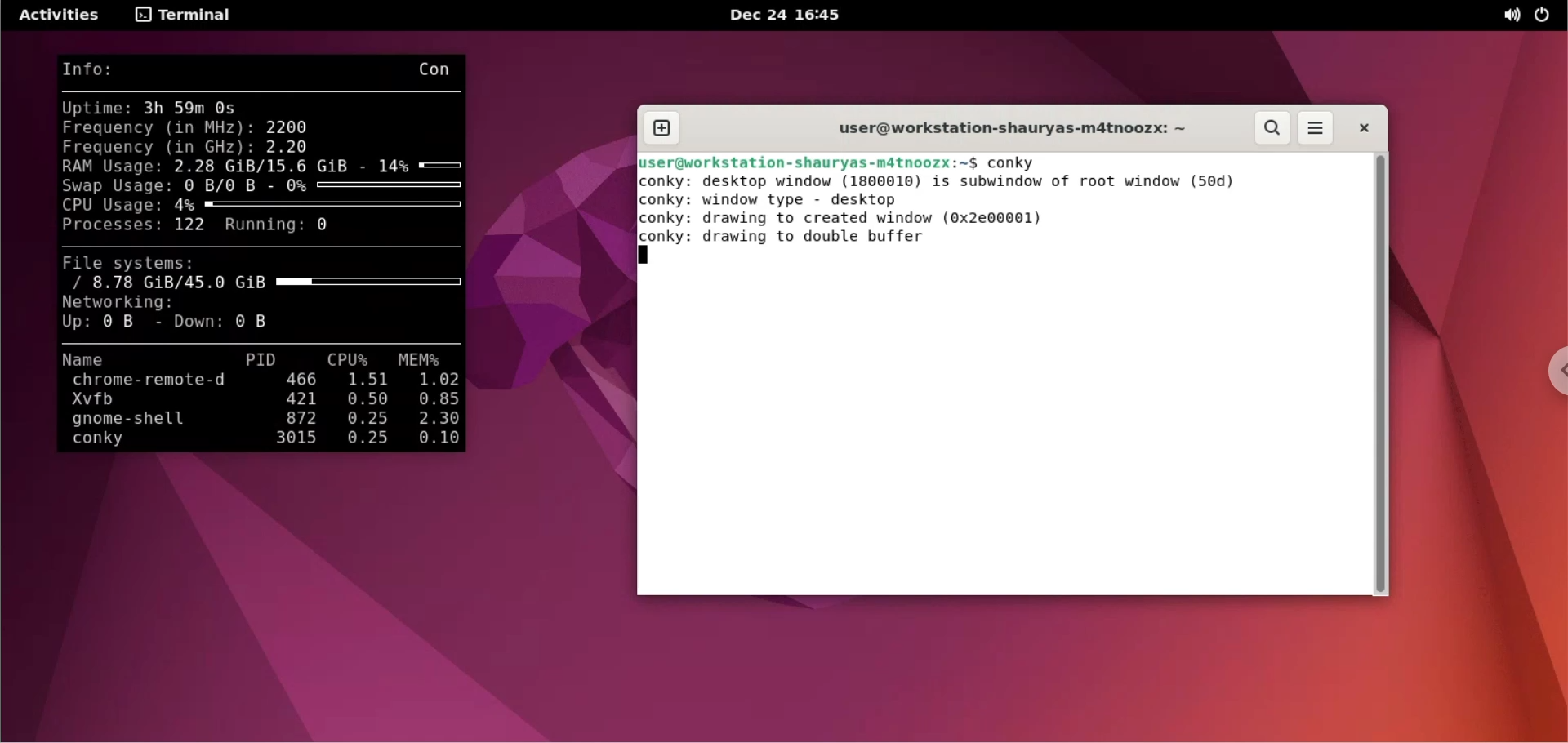 This screenshot has width=1568, height=743. What do you see at coordinates (146, 400) in the screenshot?
I see `Xvfb` at bounding box center [146, 400].